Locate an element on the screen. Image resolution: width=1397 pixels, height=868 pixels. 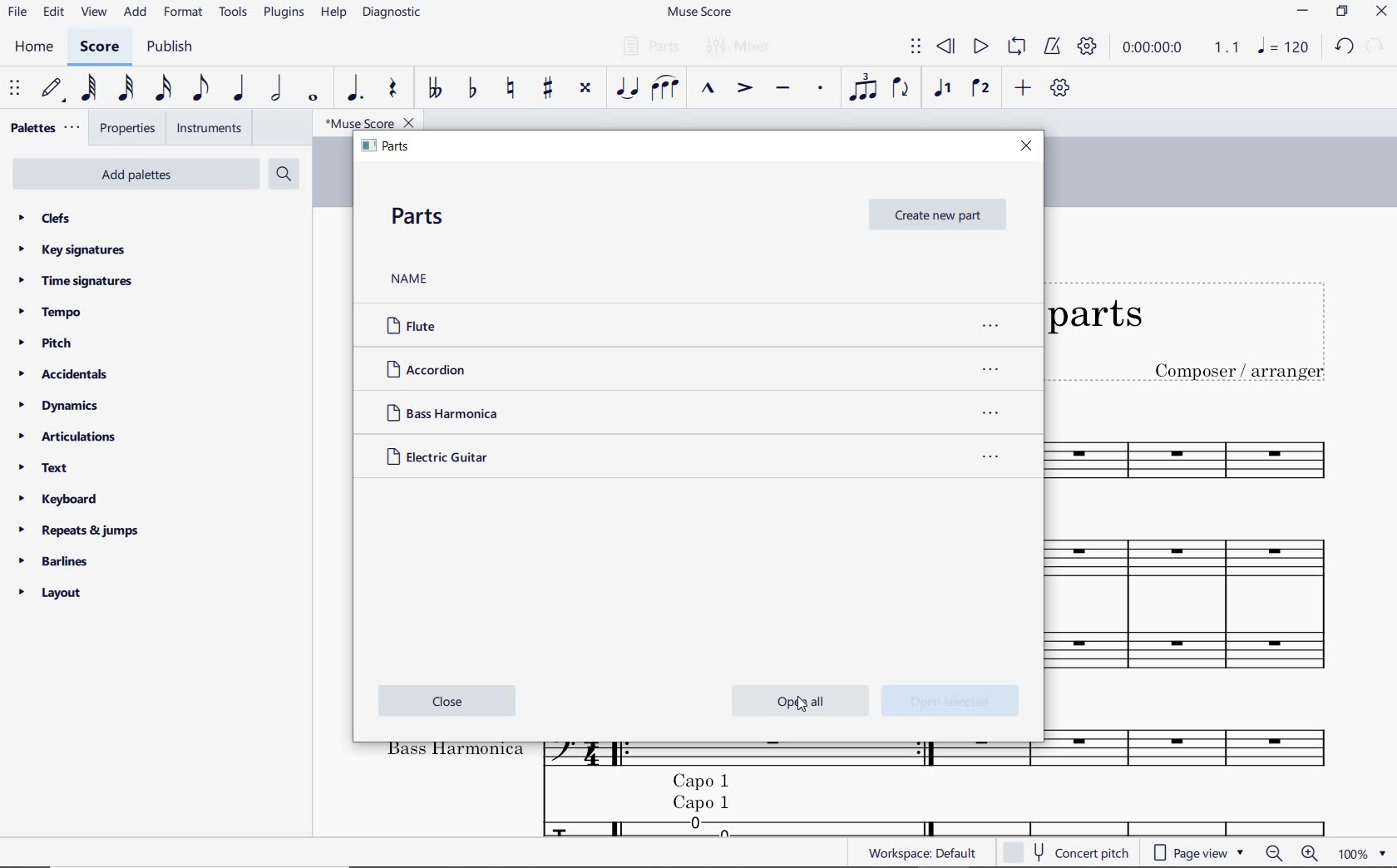
voice 2 is located at coordinates (979, 86).